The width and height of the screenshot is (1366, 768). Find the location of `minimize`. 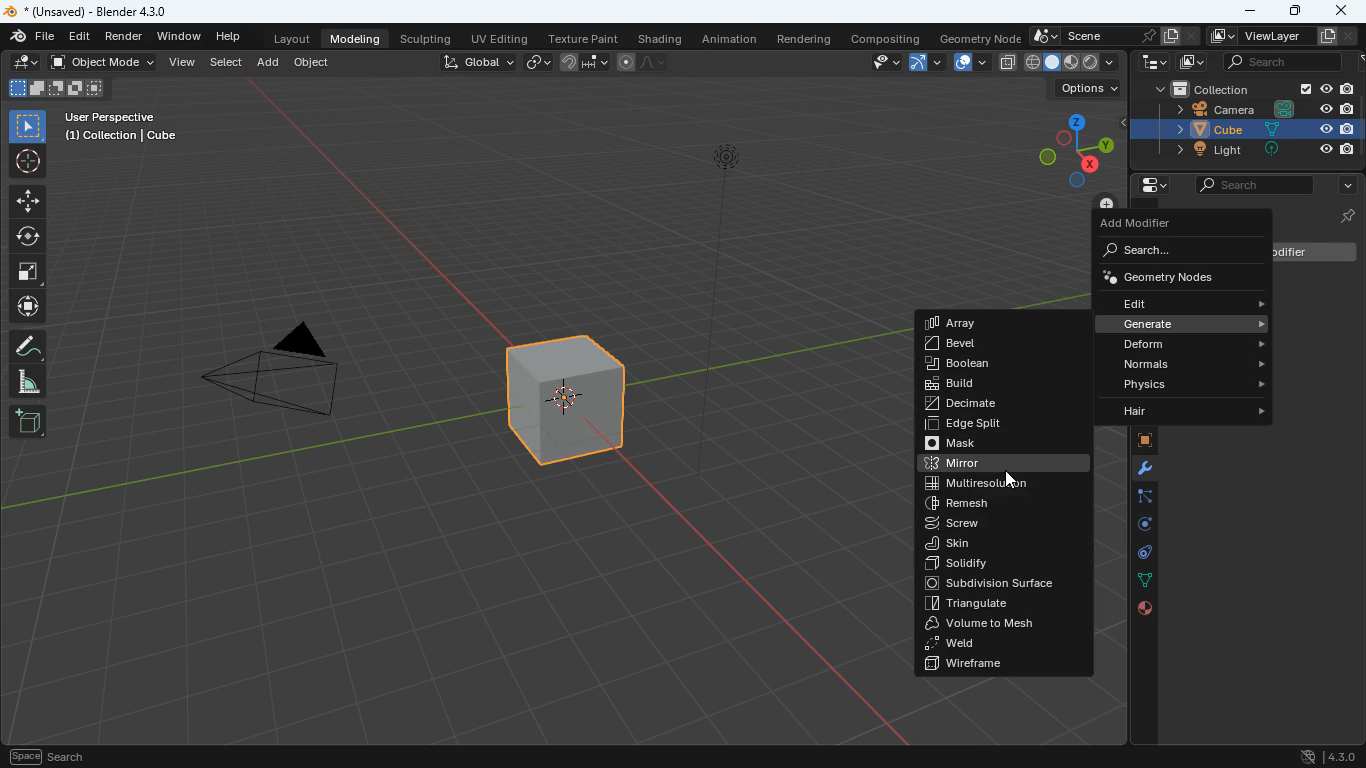

minimize is located at coordinates (1251, 12).